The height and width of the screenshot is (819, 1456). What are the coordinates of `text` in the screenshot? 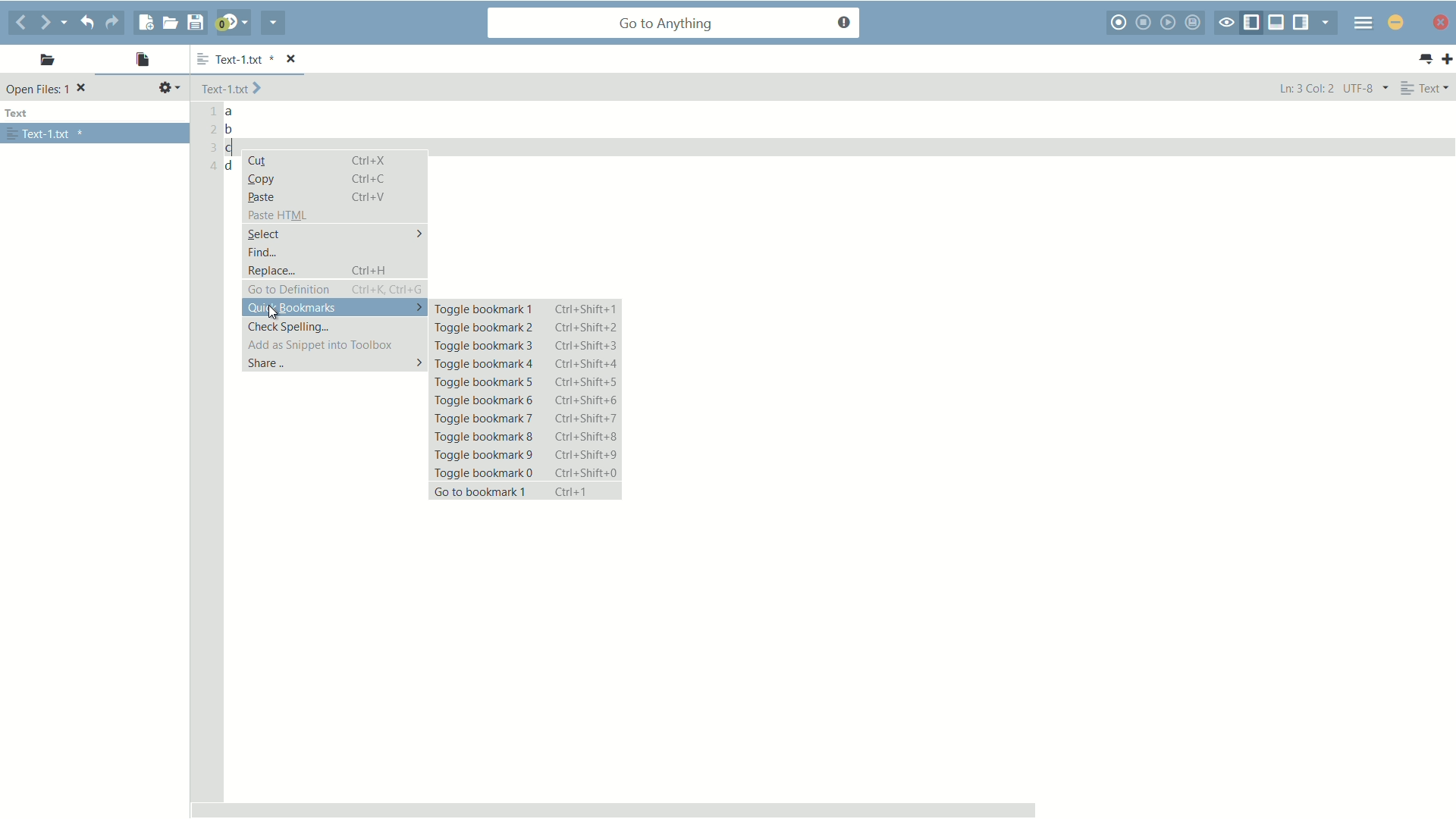 It's located at (20, 114).